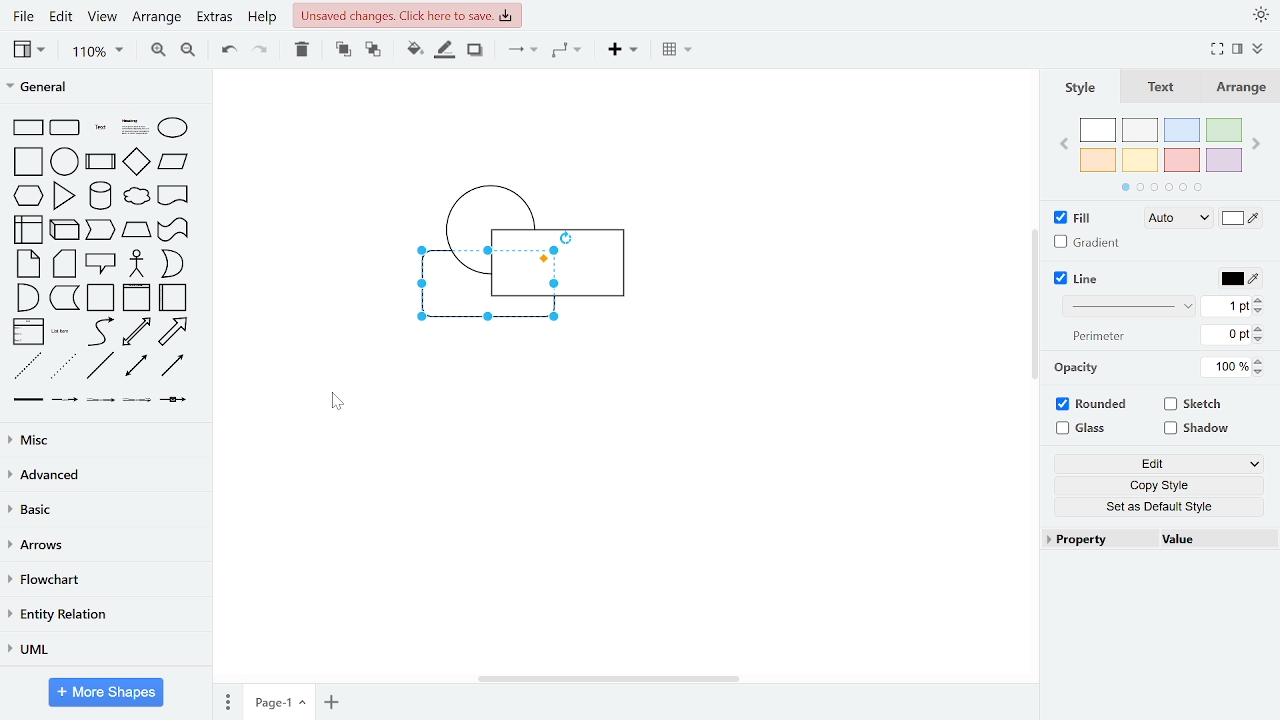 This screenshot has width=1280, height=720. I want to click on 1005, so click(1226, 366).